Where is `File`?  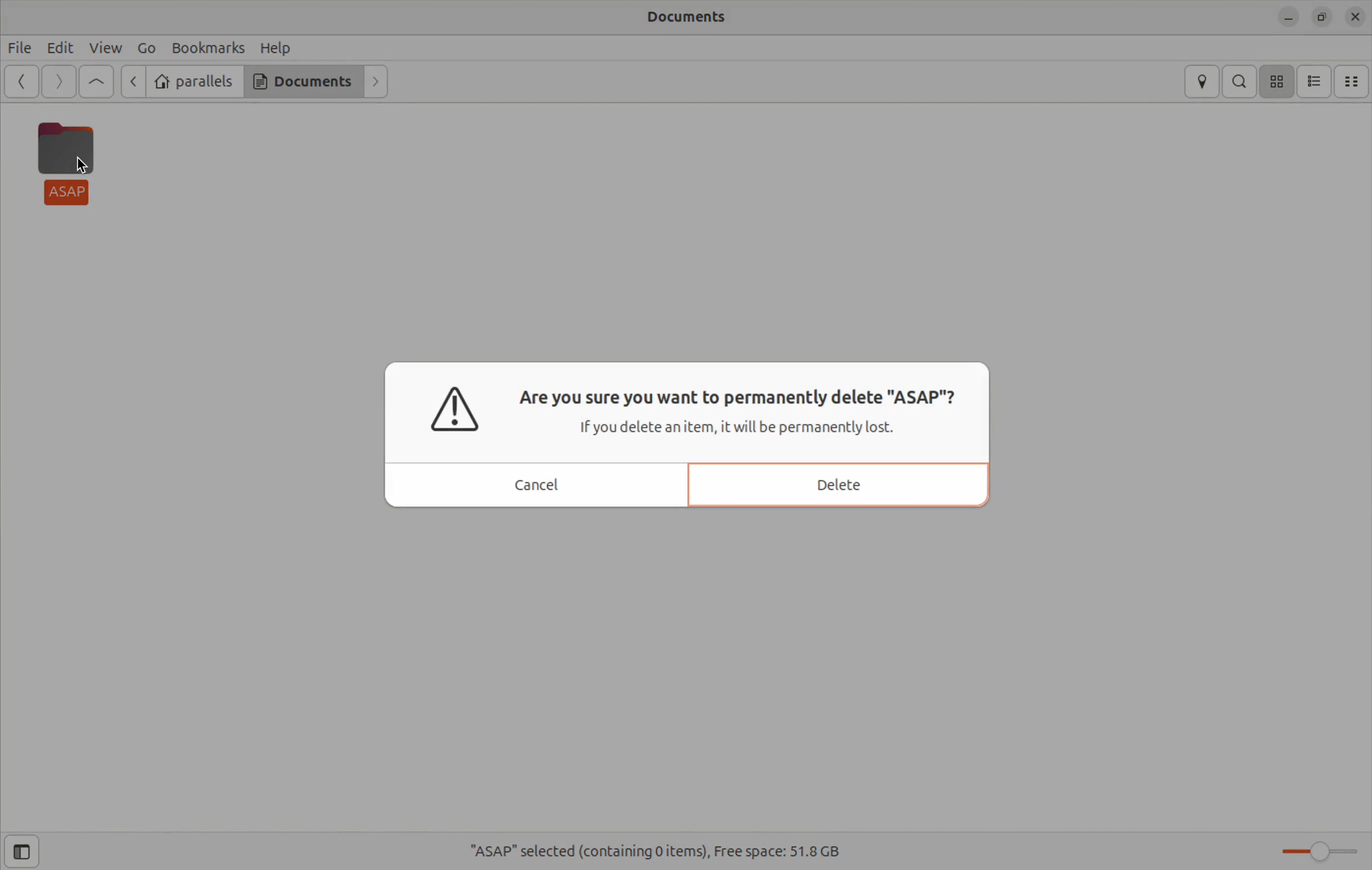 File is located at coordinates (21, 49).